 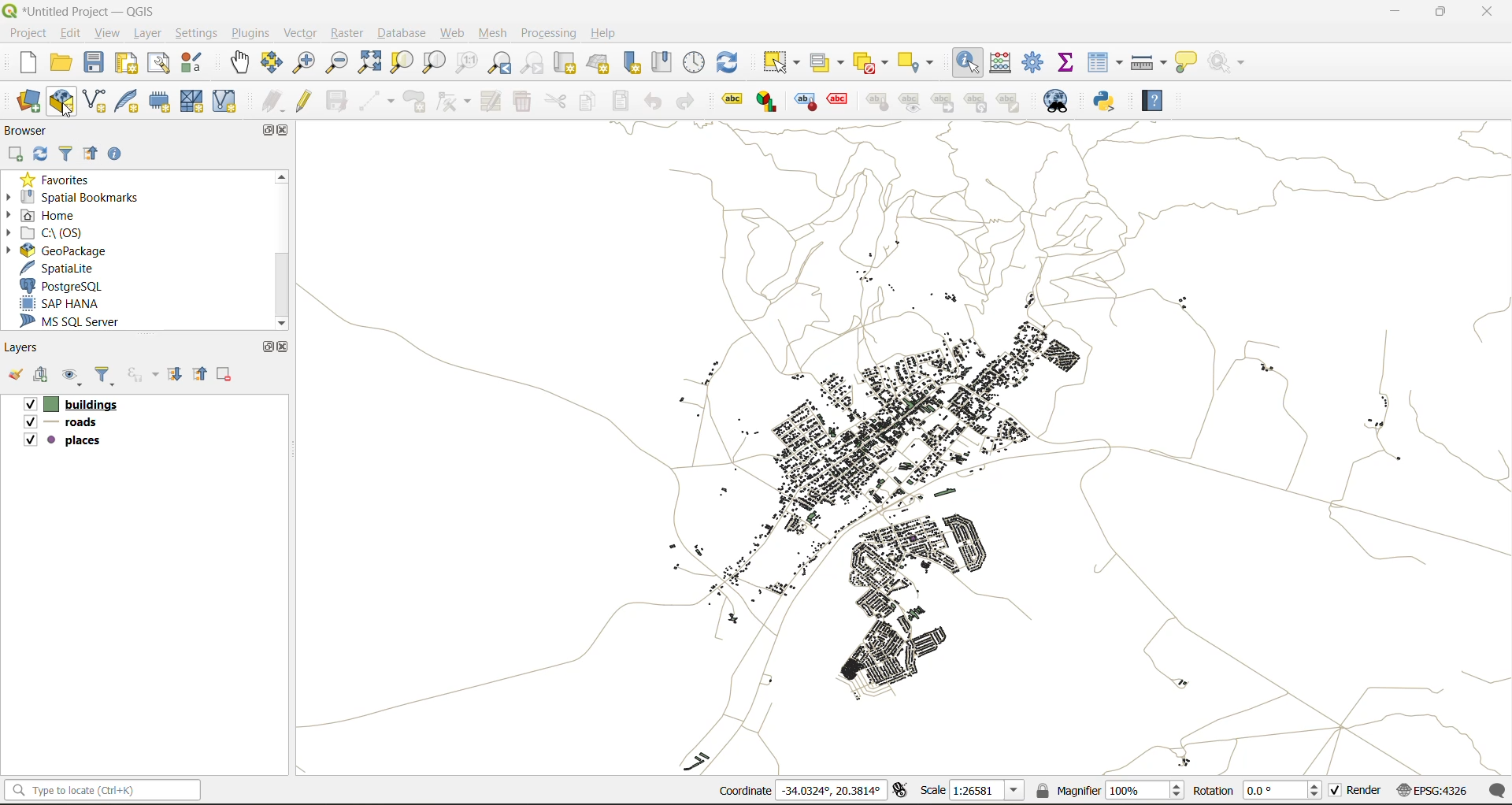 I want to click on cut, so click(x=556, y=100).